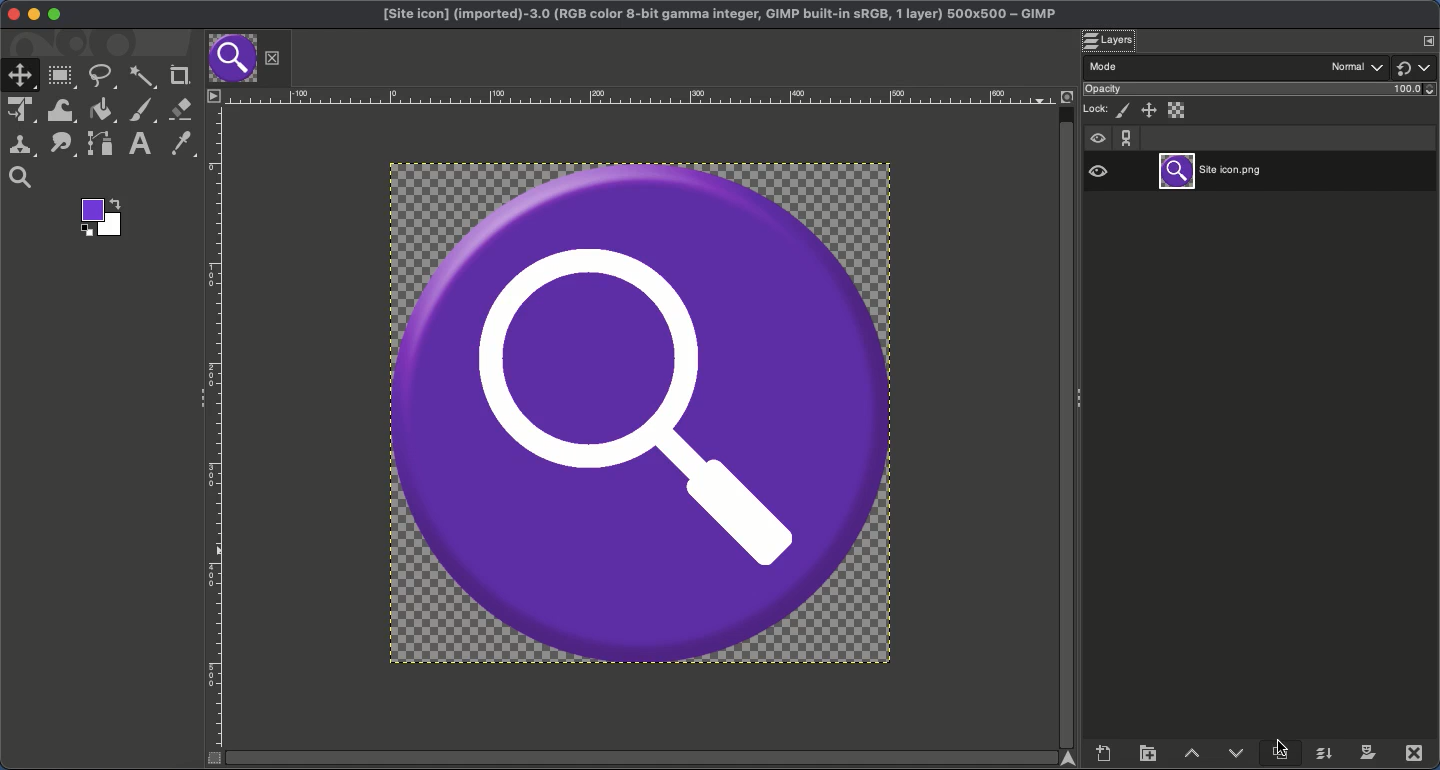 The height and width of the screenshot is (770, 1440). What do you see at coordinates (196, 393) in the screenshot?
I see `Collapse` at bounding box center [196, 393].